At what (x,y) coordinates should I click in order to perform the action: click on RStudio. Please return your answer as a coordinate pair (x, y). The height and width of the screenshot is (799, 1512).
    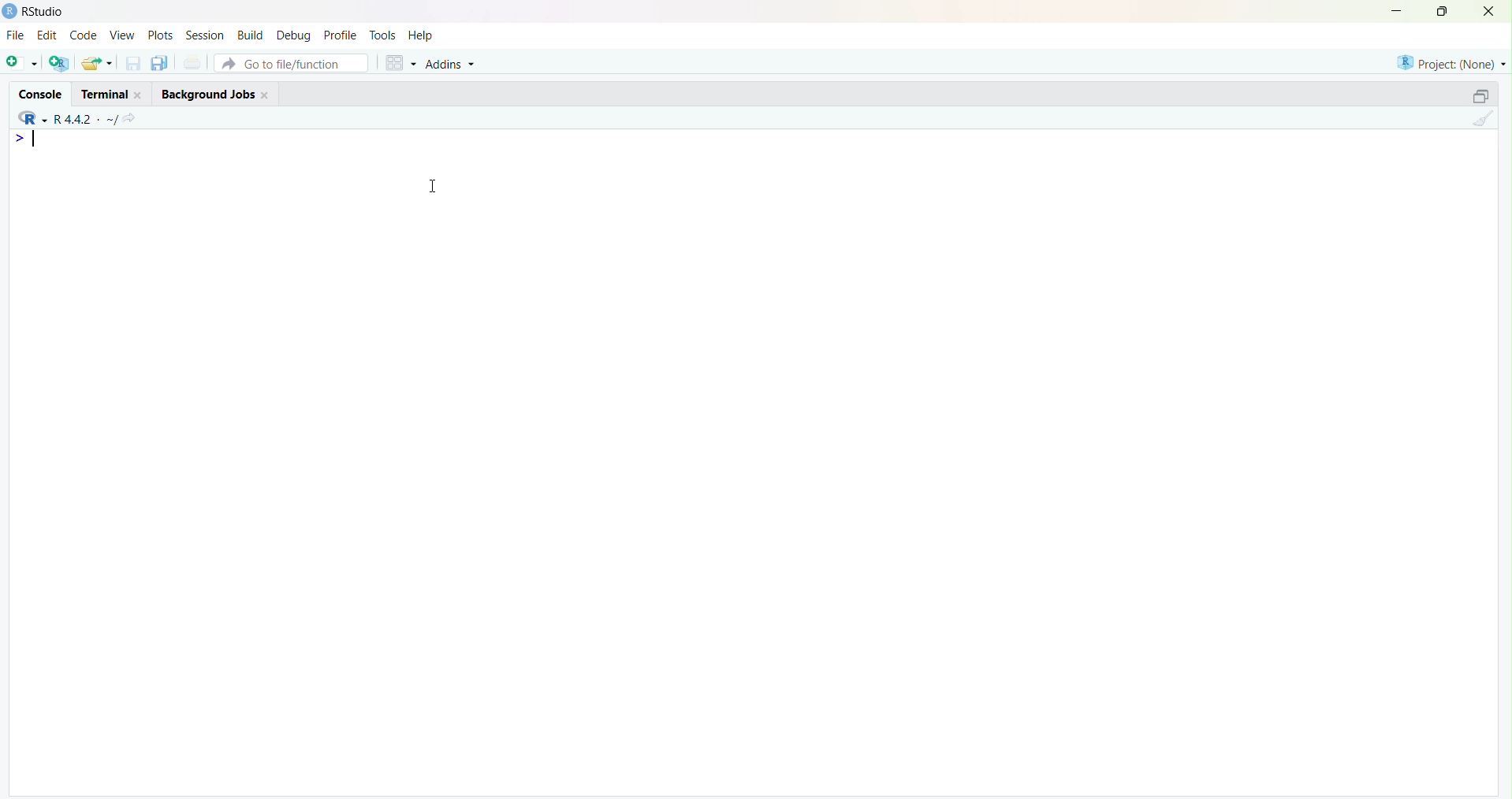
    Looking at the image, I should click on (37, 11).